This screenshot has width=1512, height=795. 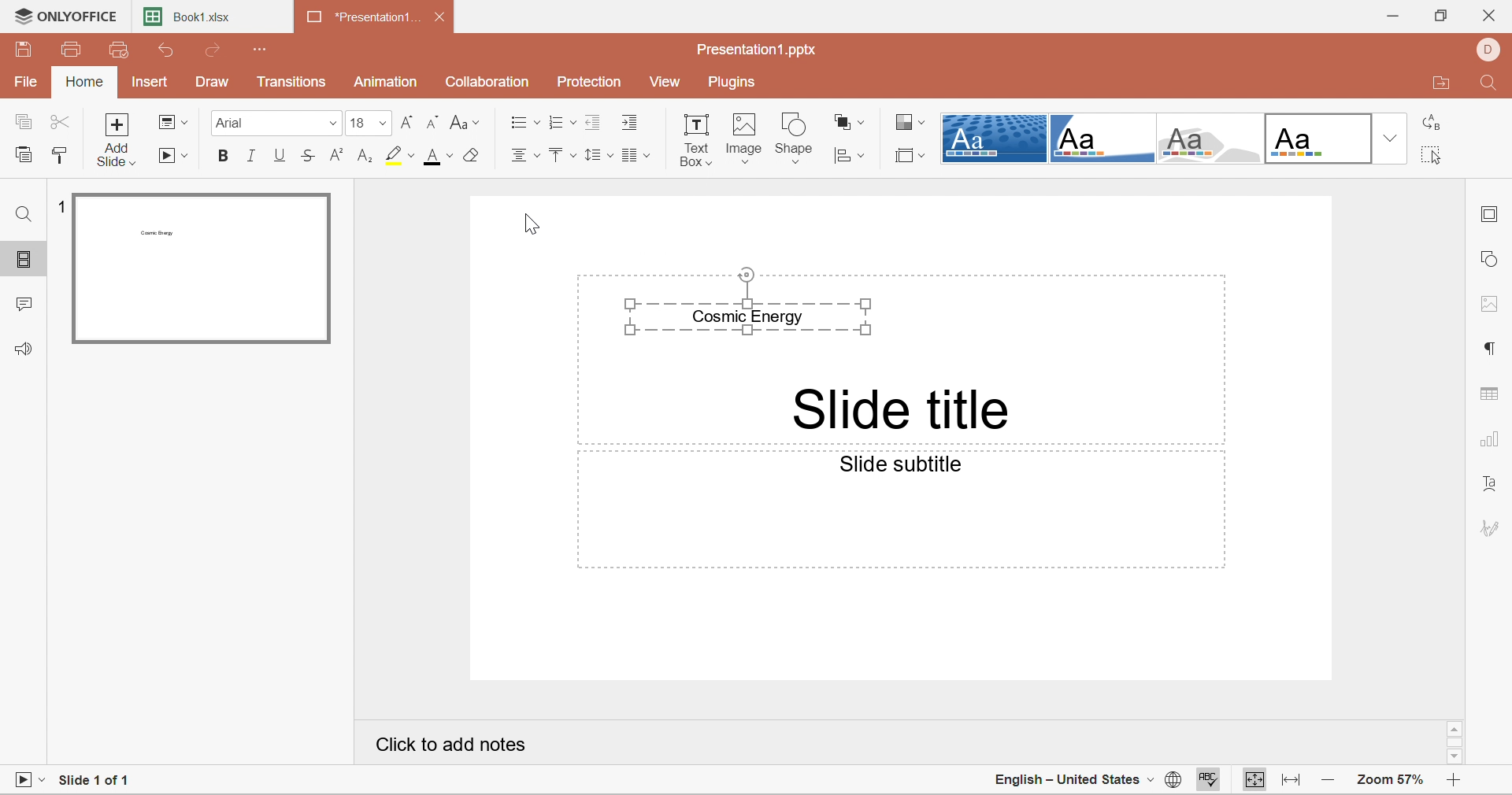 What do you see at coordinates (273, 123) in the screenshot?
I see `Arial` at bounding box center [273, 123].